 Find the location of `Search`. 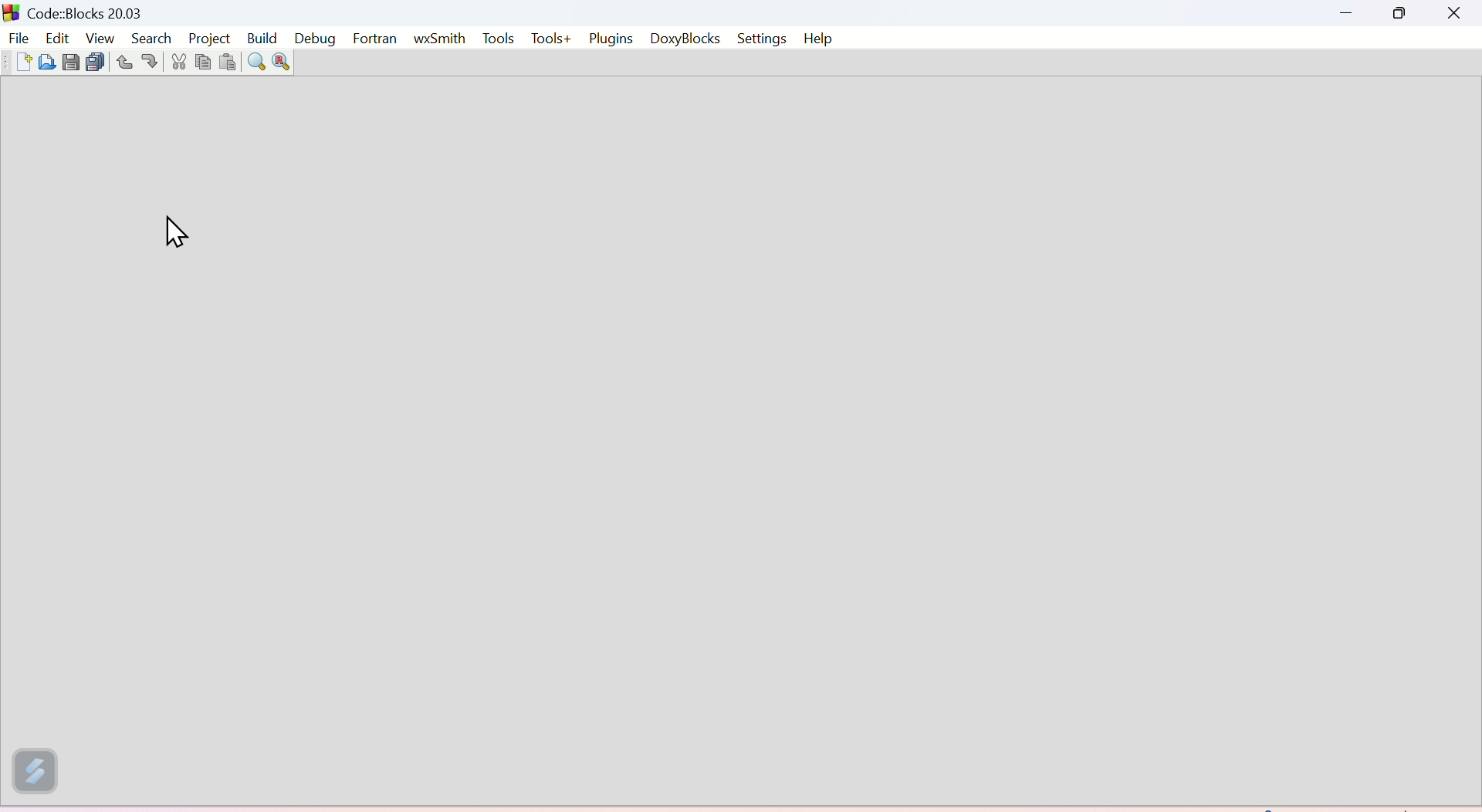

Search is located at coordinates (148, 37).